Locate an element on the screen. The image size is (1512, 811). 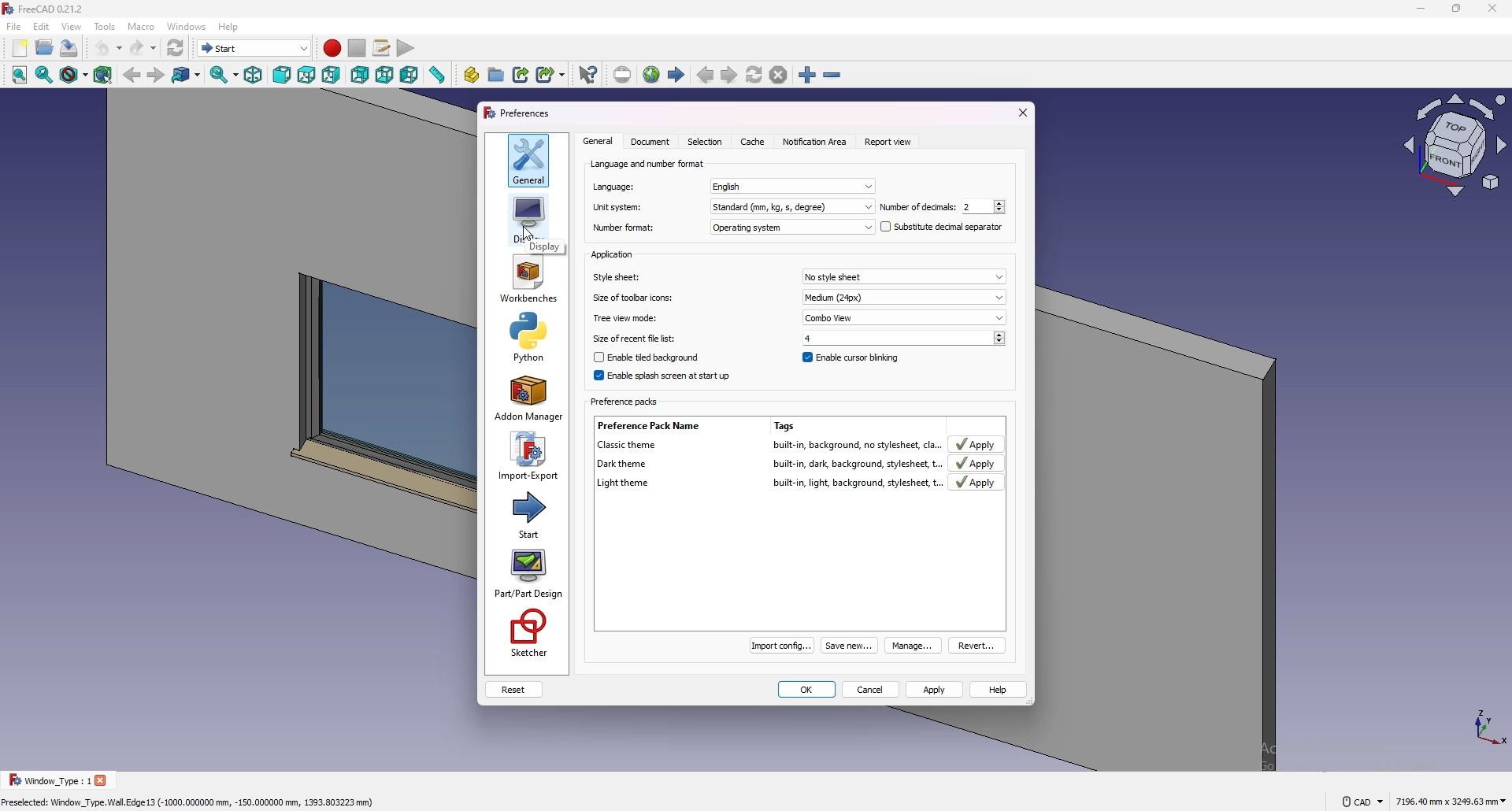
standard(mm,kg,s,degree) is located at coordinates (791, 207).